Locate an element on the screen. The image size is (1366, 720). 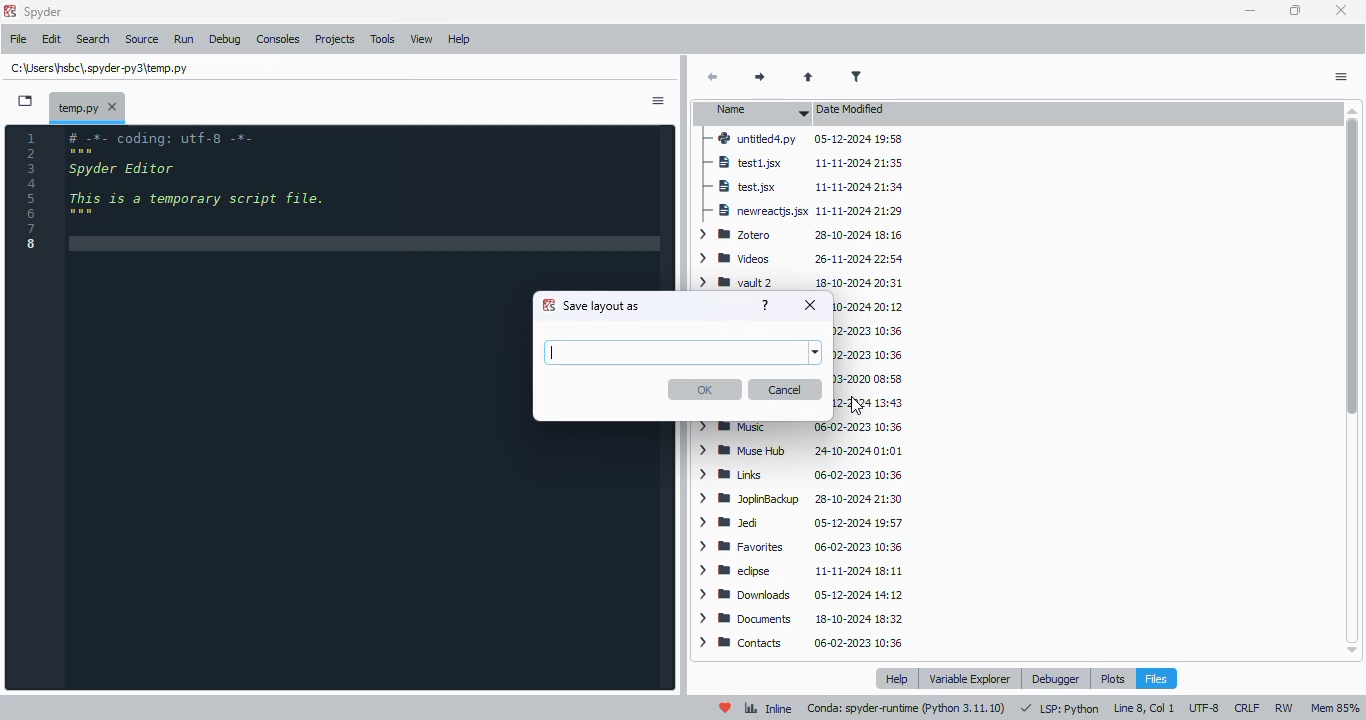
close is located at coordinates (1342, 9).